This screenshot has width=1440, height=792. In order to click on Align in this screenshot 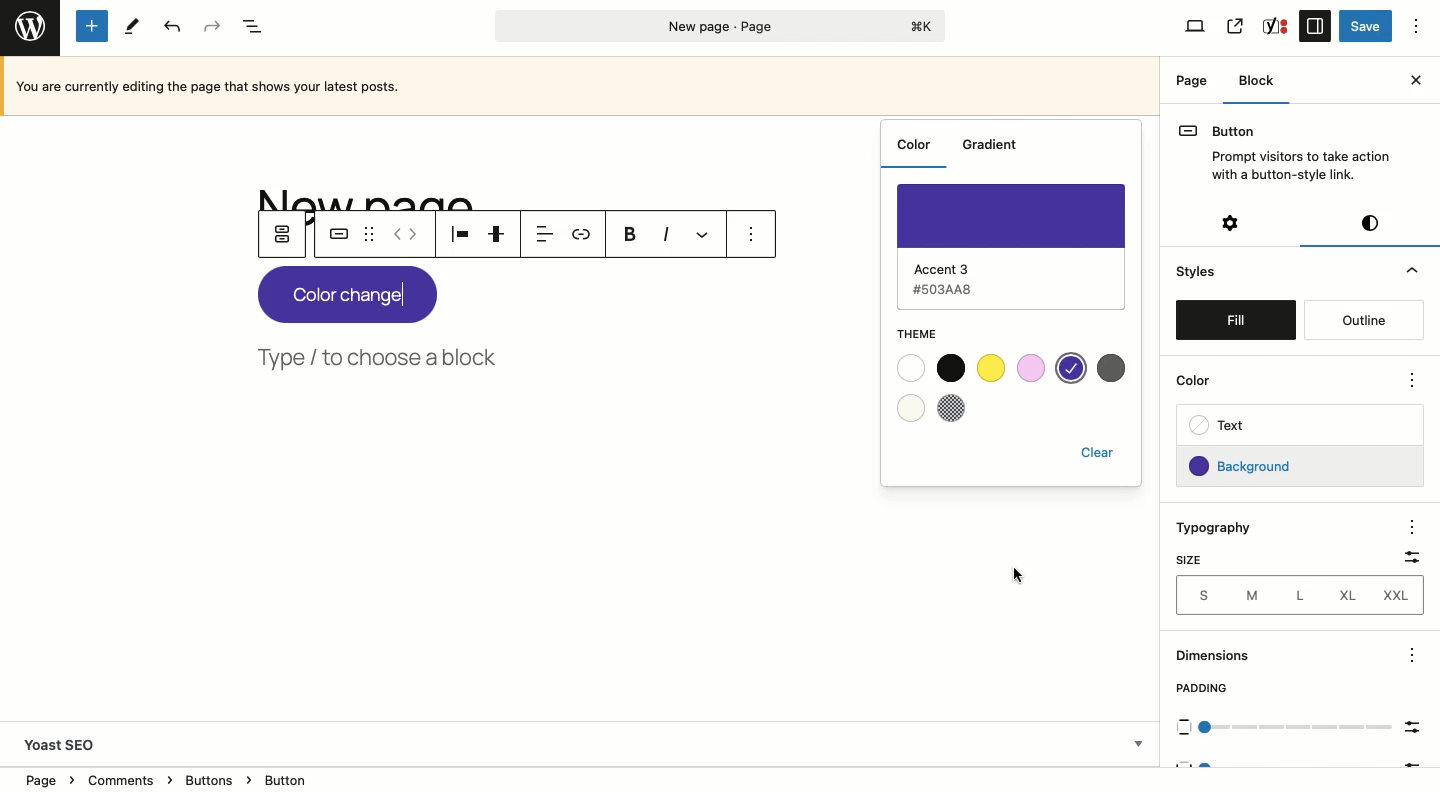, I will do `click(457, 234)`.